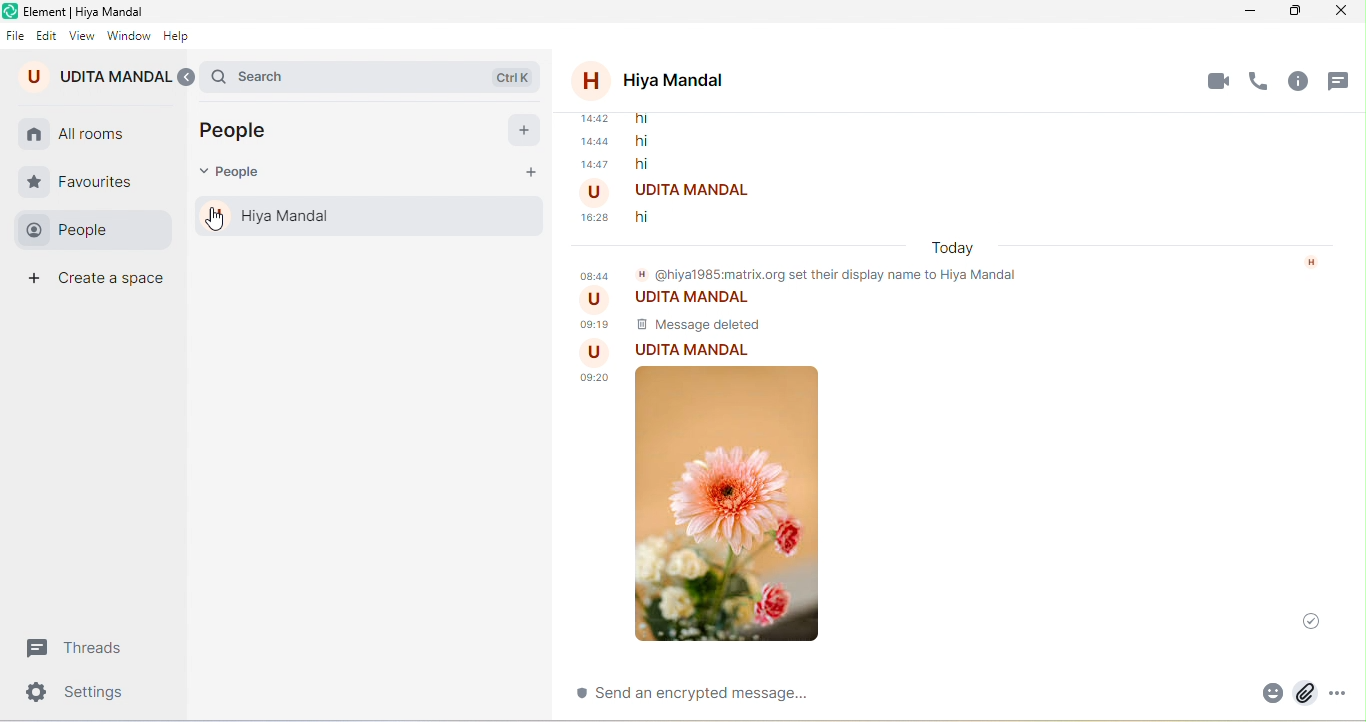 The width and height of the screenshot is (1366, 722). I want to click on Profile picture, so click(595, 300).